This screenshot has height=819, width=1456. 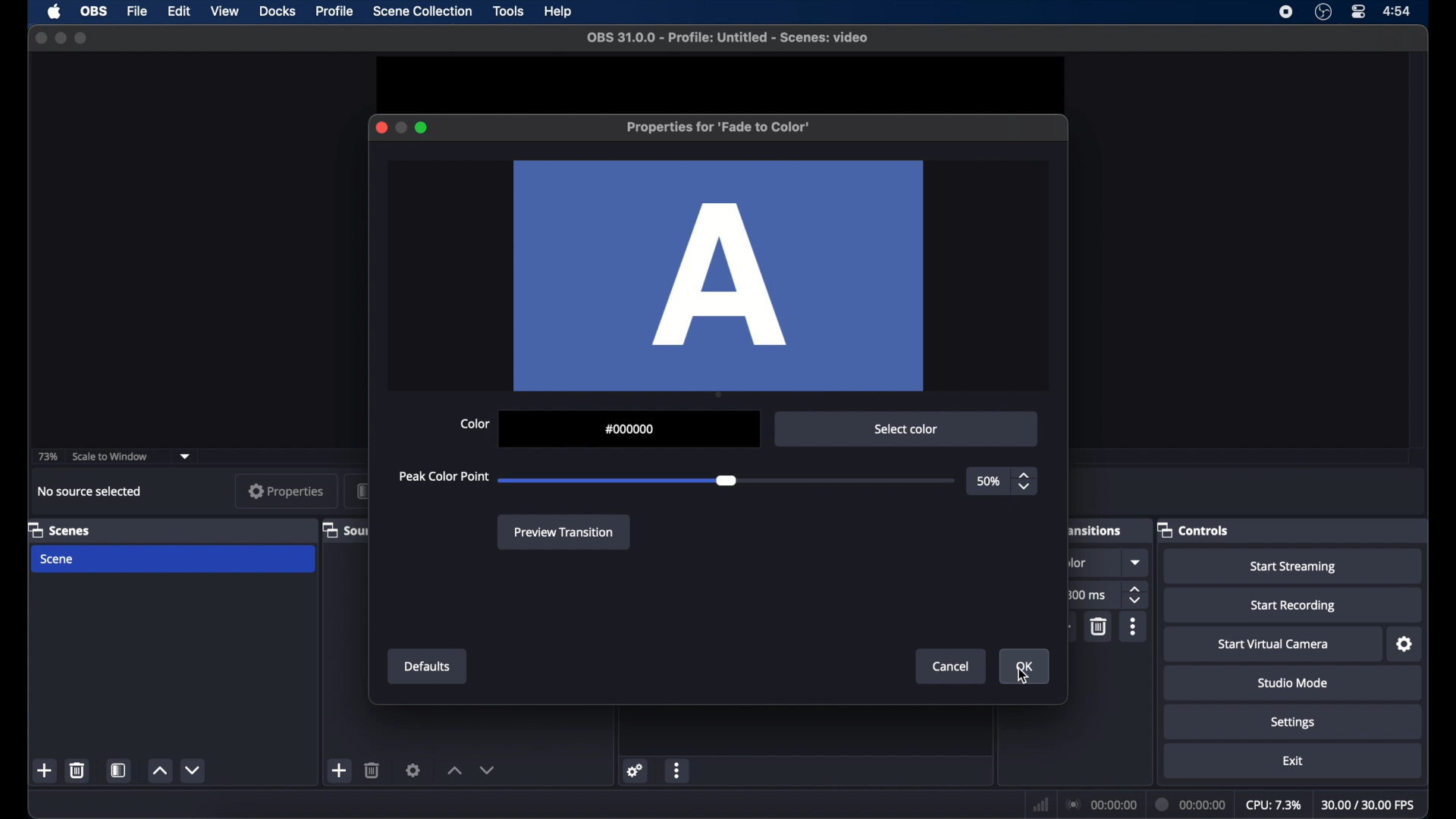 What do you see at coordinates (454, 770) in the screenshot?
I see `increment` at bounding box center [454, 770].